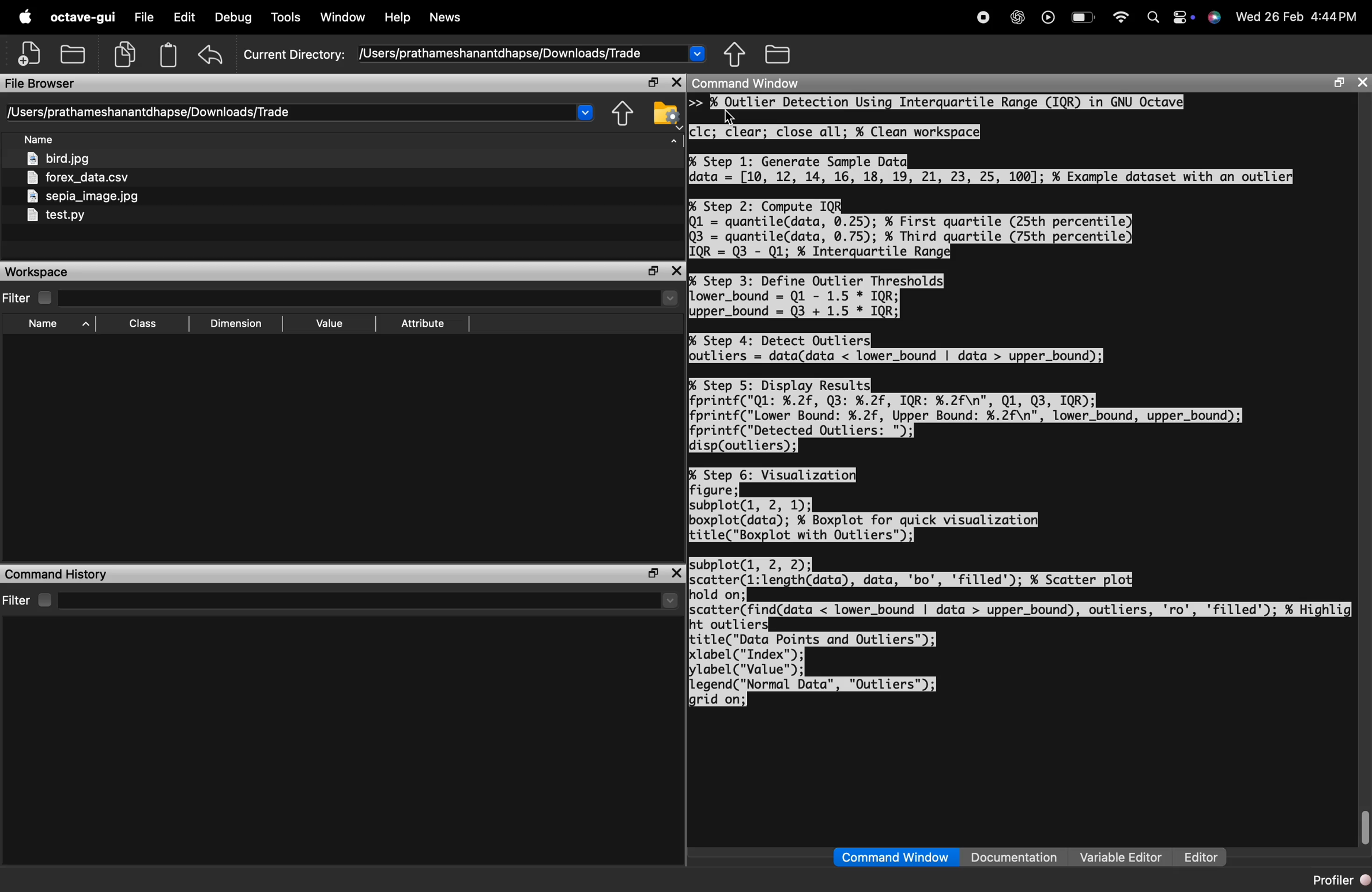 This screenshot has width=1372, height=892. I want to click on open in separate window, so click(1340, 84).